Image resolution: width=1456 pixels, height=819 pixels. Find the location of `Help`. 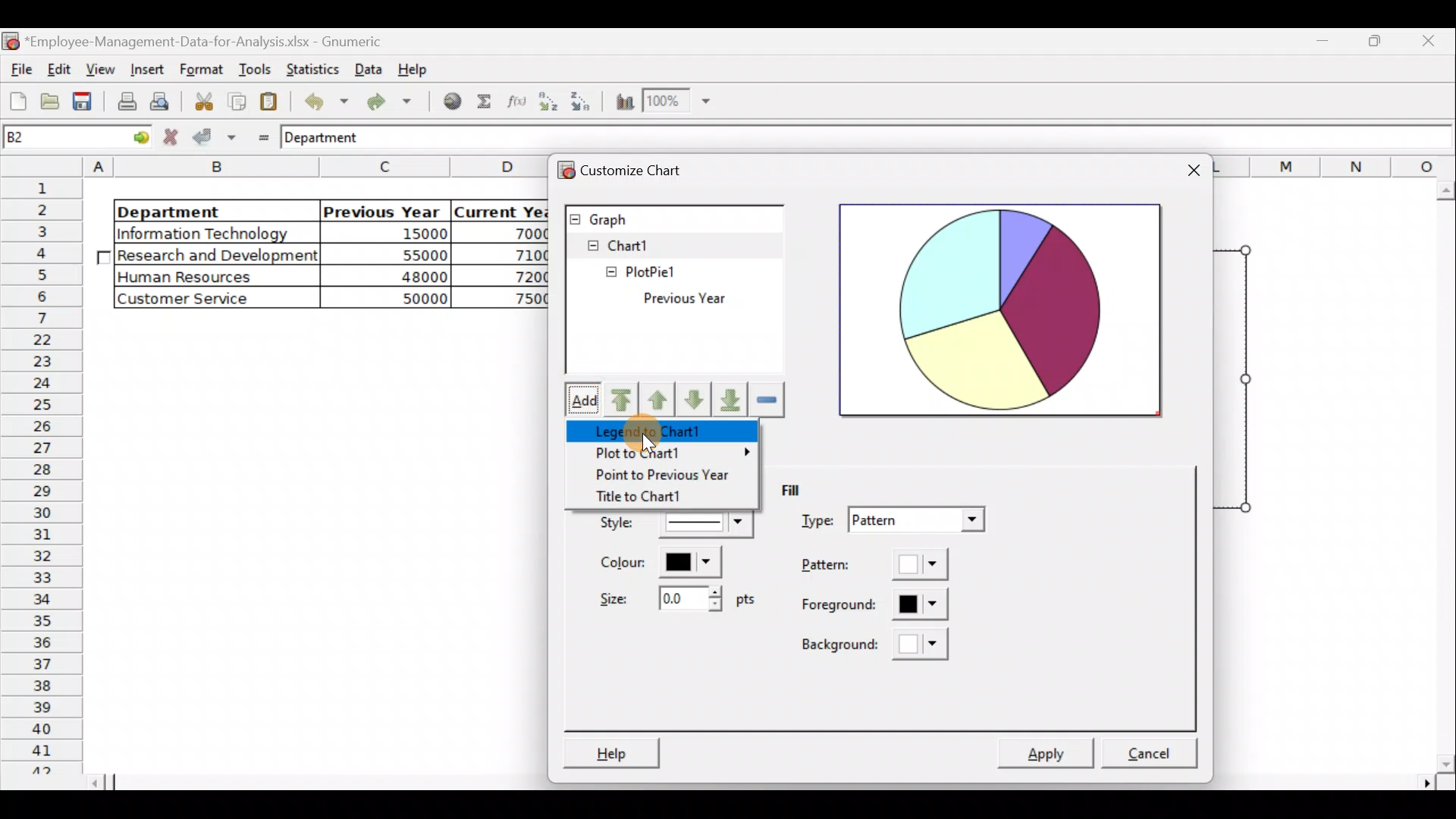

Help is located at coordinates (611, 750).